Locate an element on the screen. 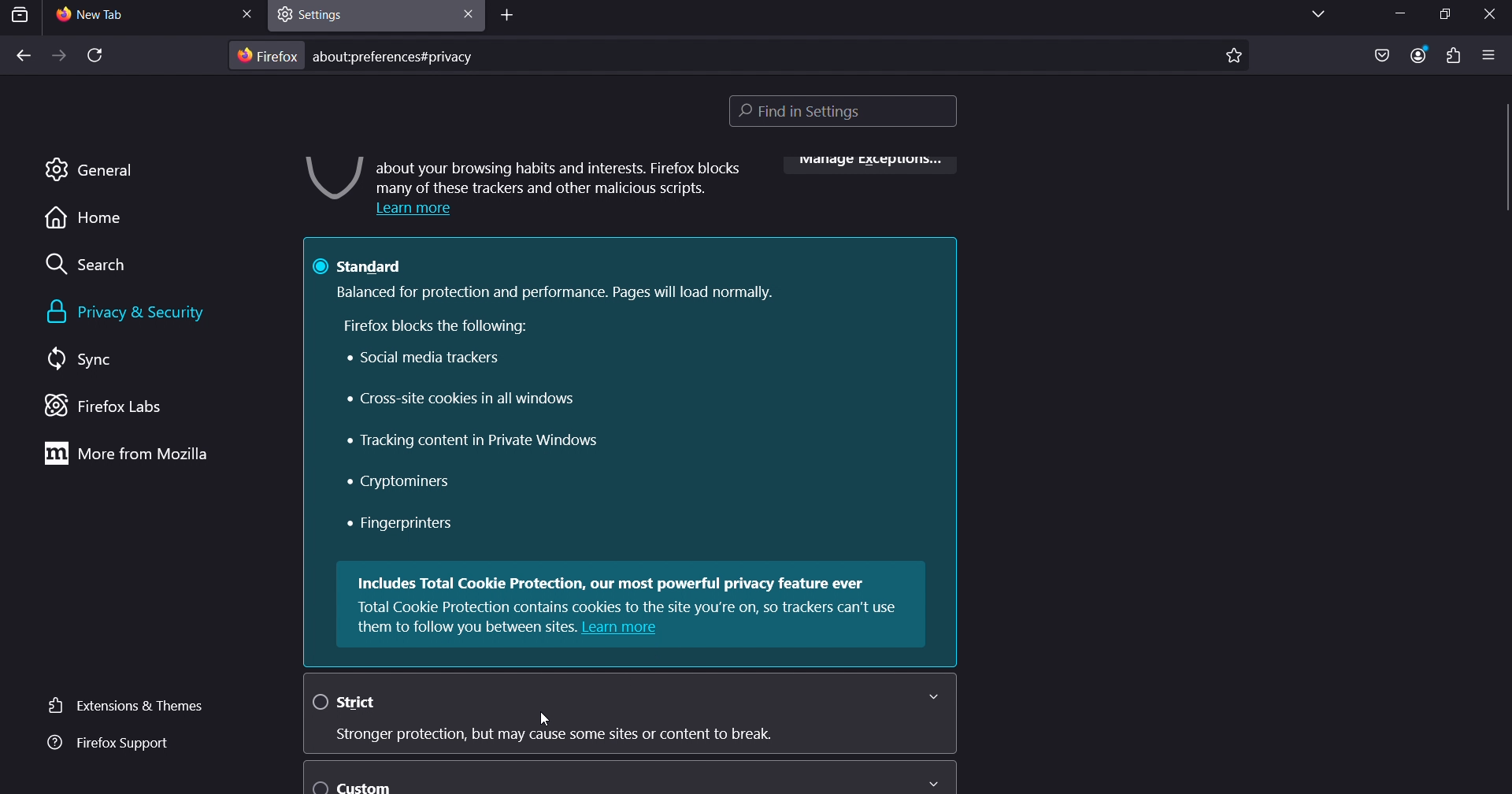 Image resolution: width=1512 pixels, height=794 pixels. list all tabs is located at coordinates (1312, 15).